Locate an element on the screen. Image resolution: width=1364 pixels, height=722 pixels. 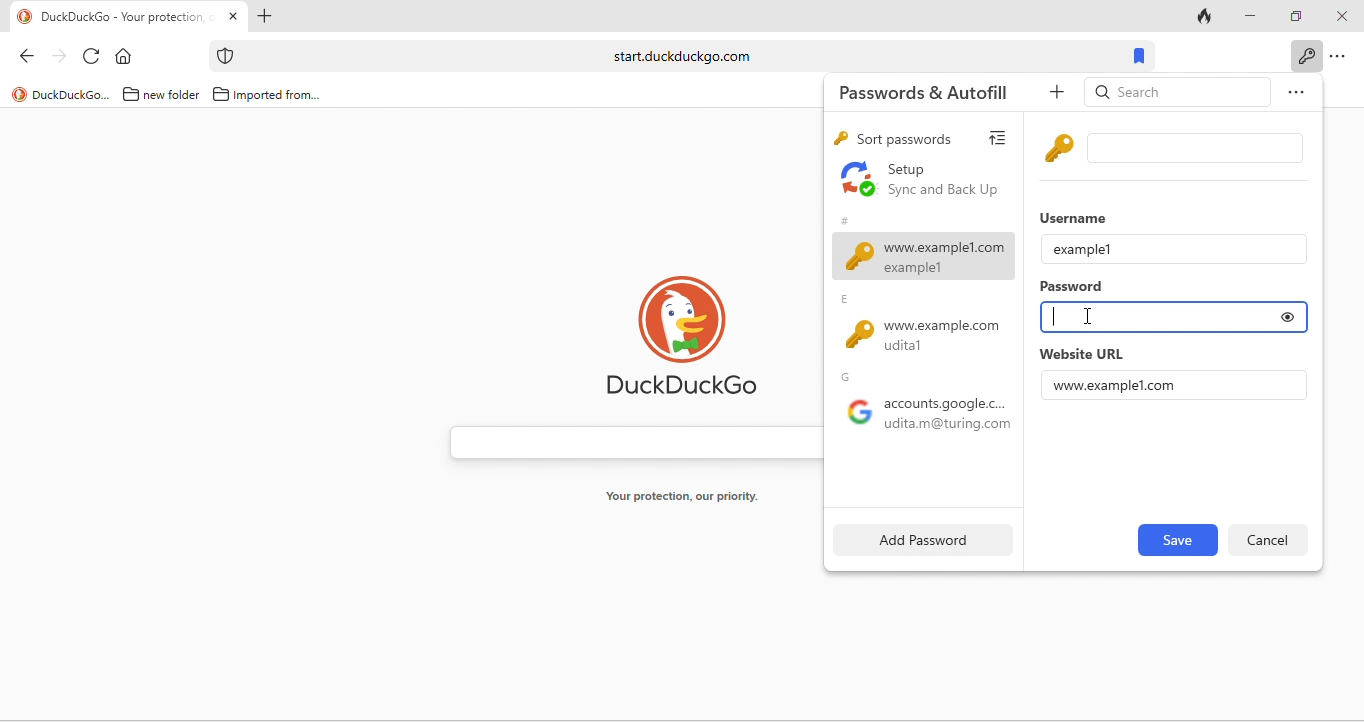
folder icon is located at coordinates (131, 94).